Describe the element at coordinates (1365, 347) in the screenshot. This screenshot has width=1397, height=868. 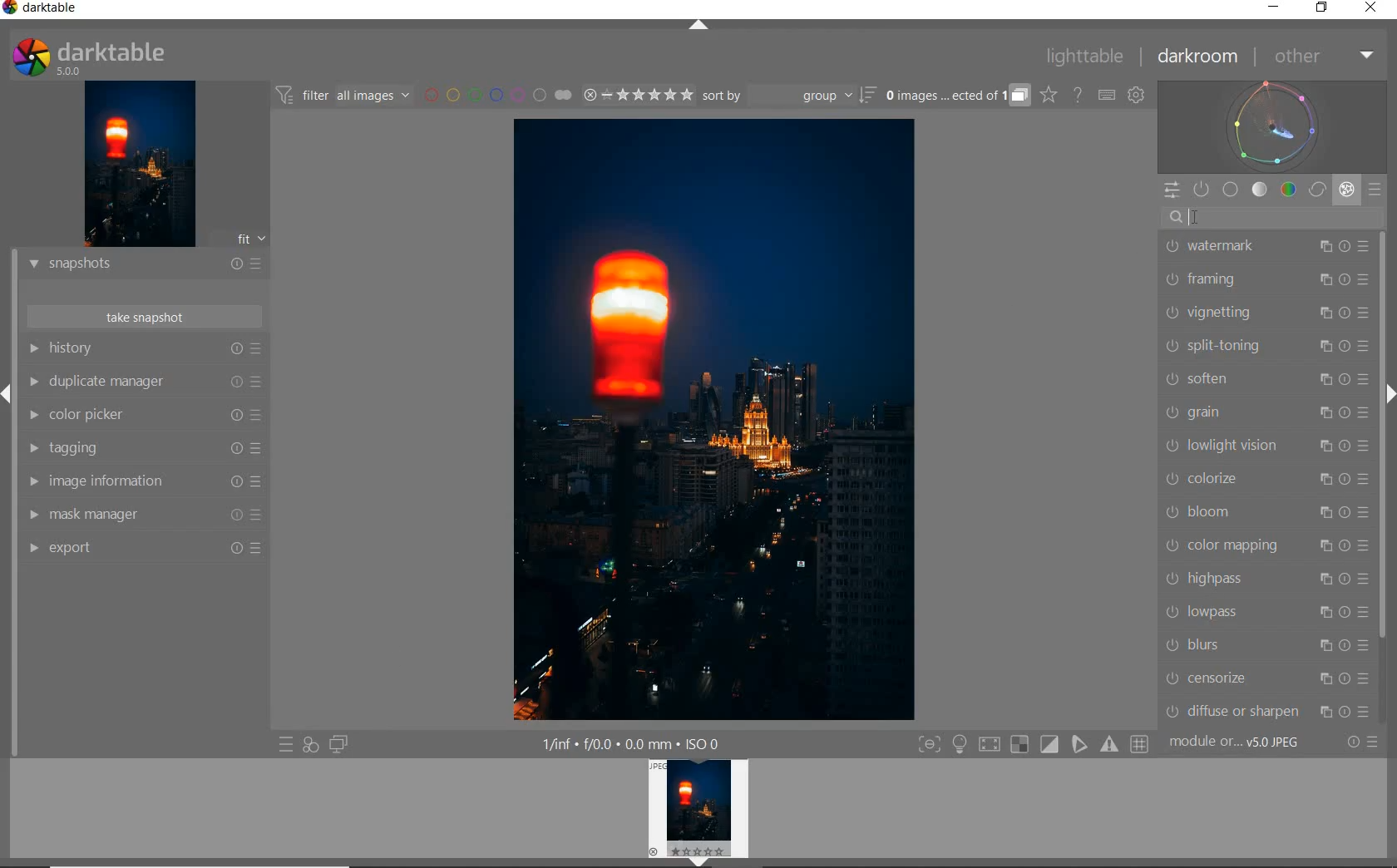
I see `Preset and reset` at that location.